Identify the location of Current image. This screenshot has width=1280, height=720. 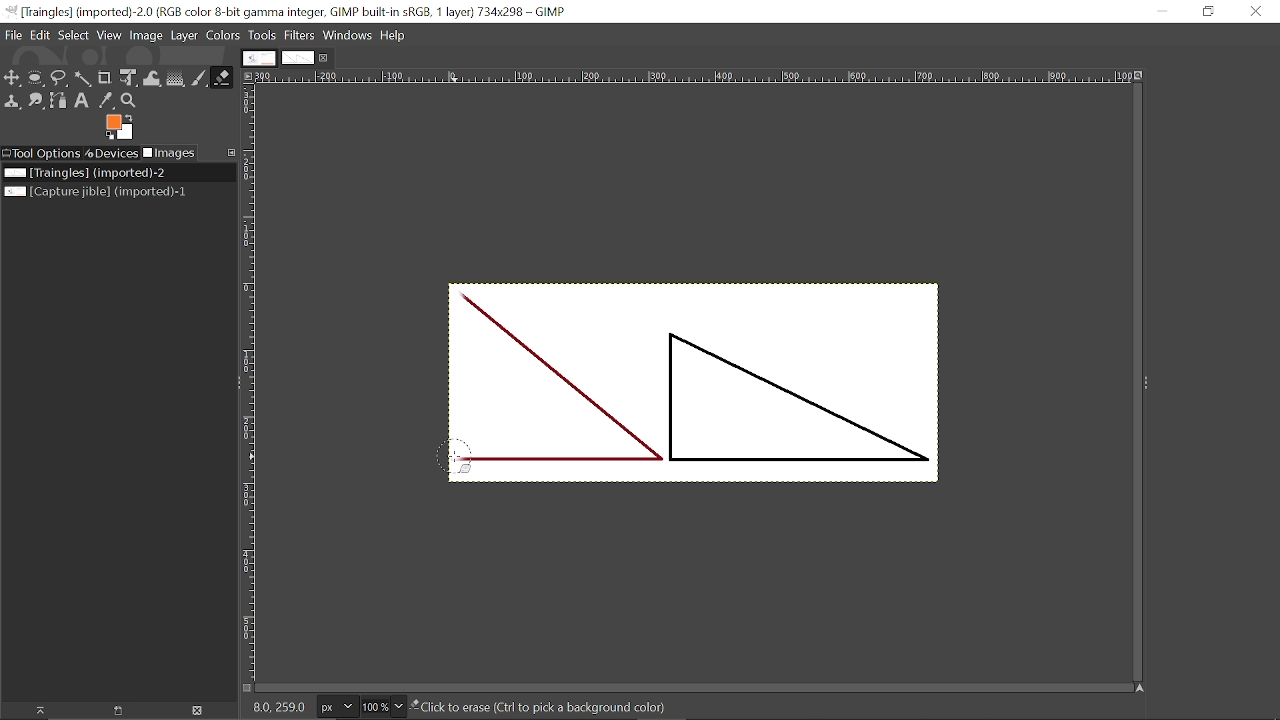
(716, 393).